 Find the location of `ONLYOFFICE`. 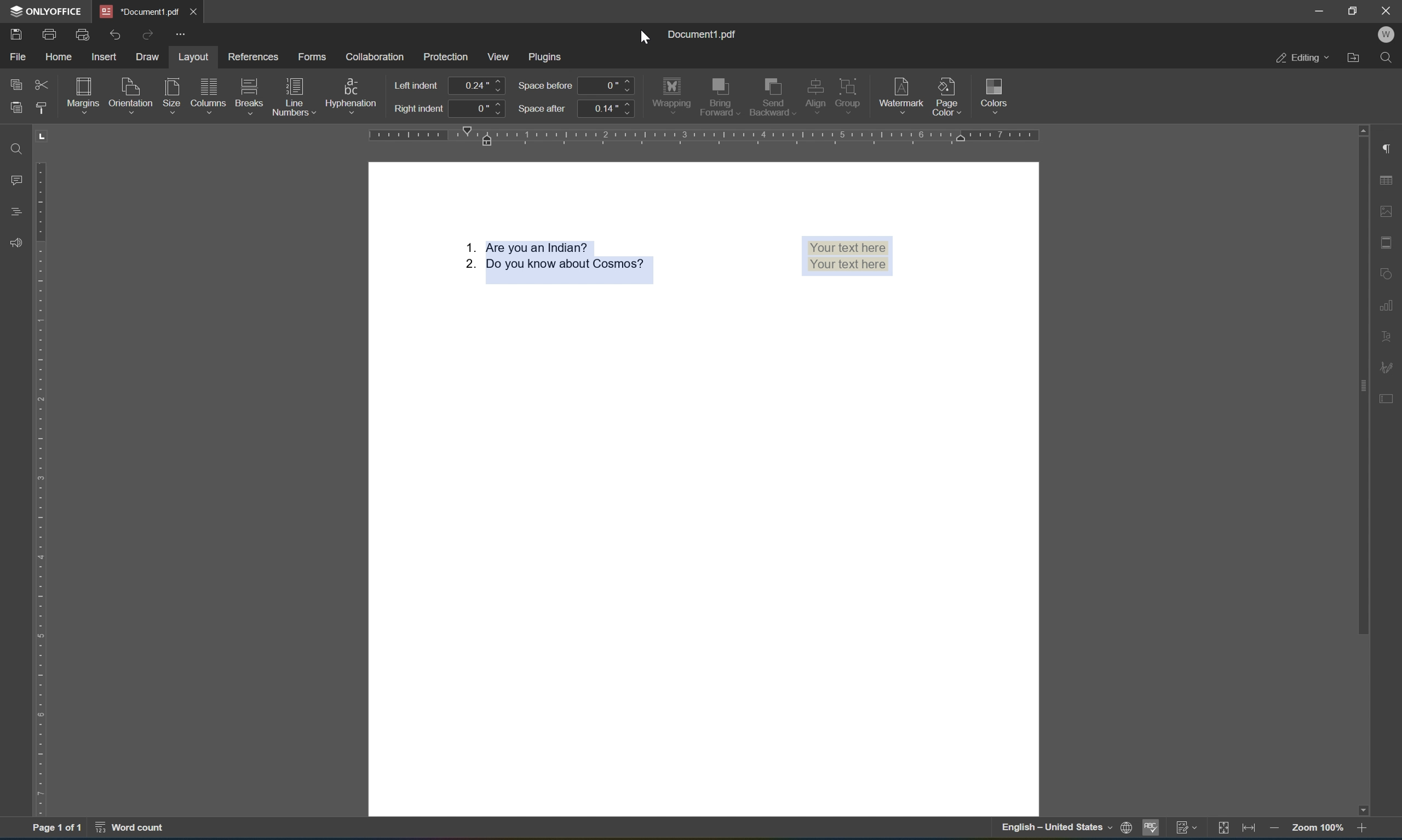

ONLYOFFICE is located at coordinates (46, 11).